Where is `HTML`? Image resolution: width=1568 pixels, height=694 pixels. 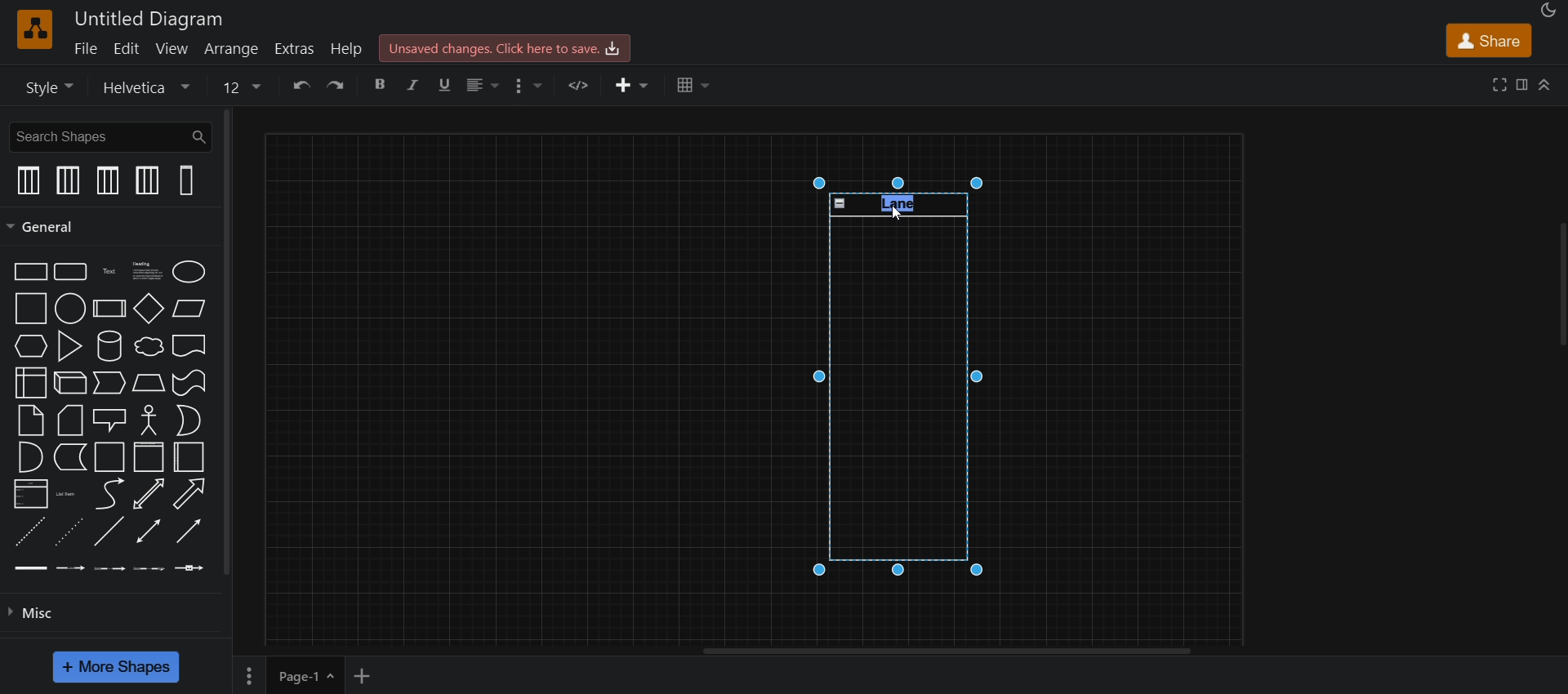
HTML is located at coordinates (584, 84).